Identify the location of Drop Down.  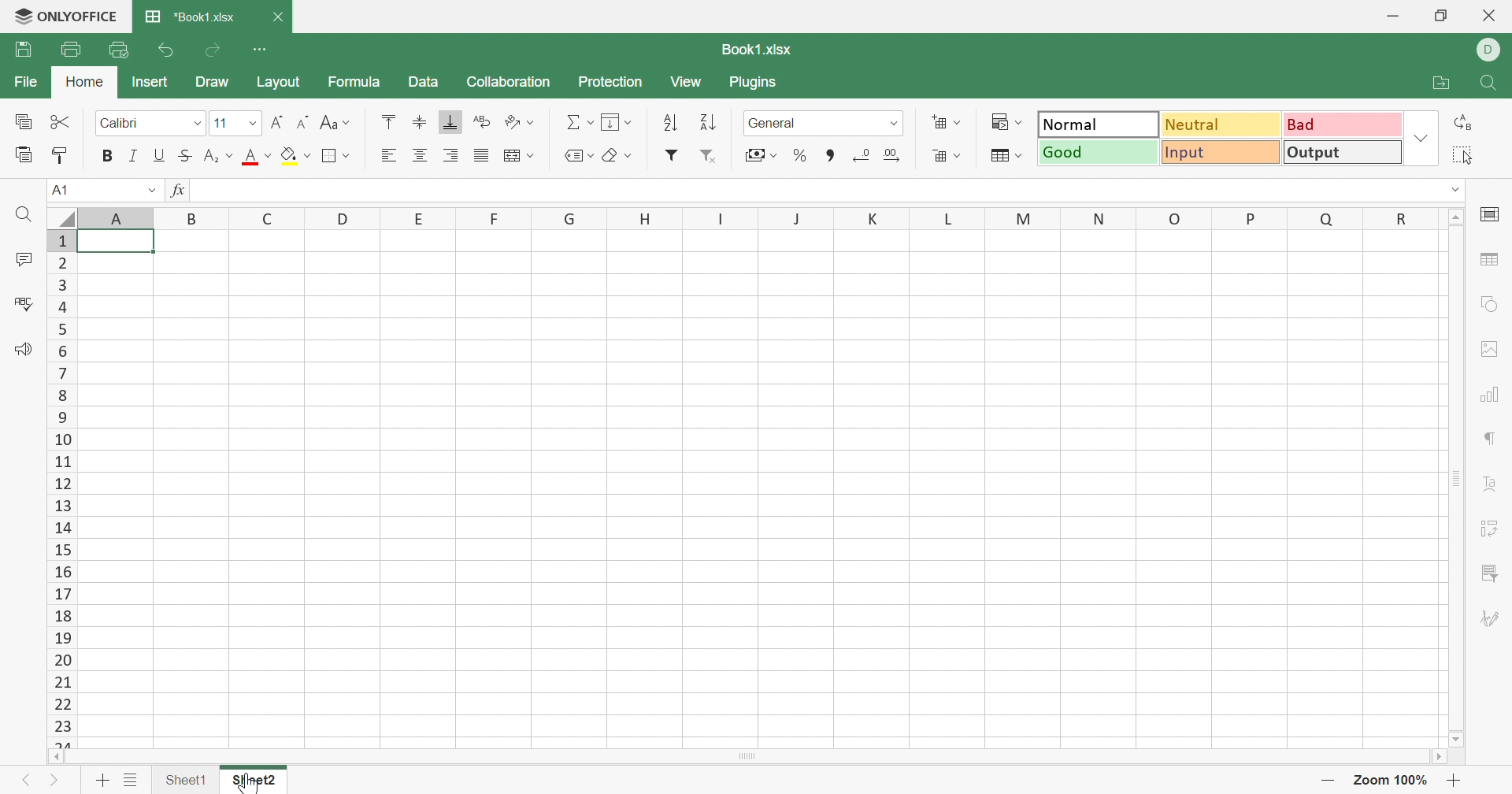
(1422, 139).